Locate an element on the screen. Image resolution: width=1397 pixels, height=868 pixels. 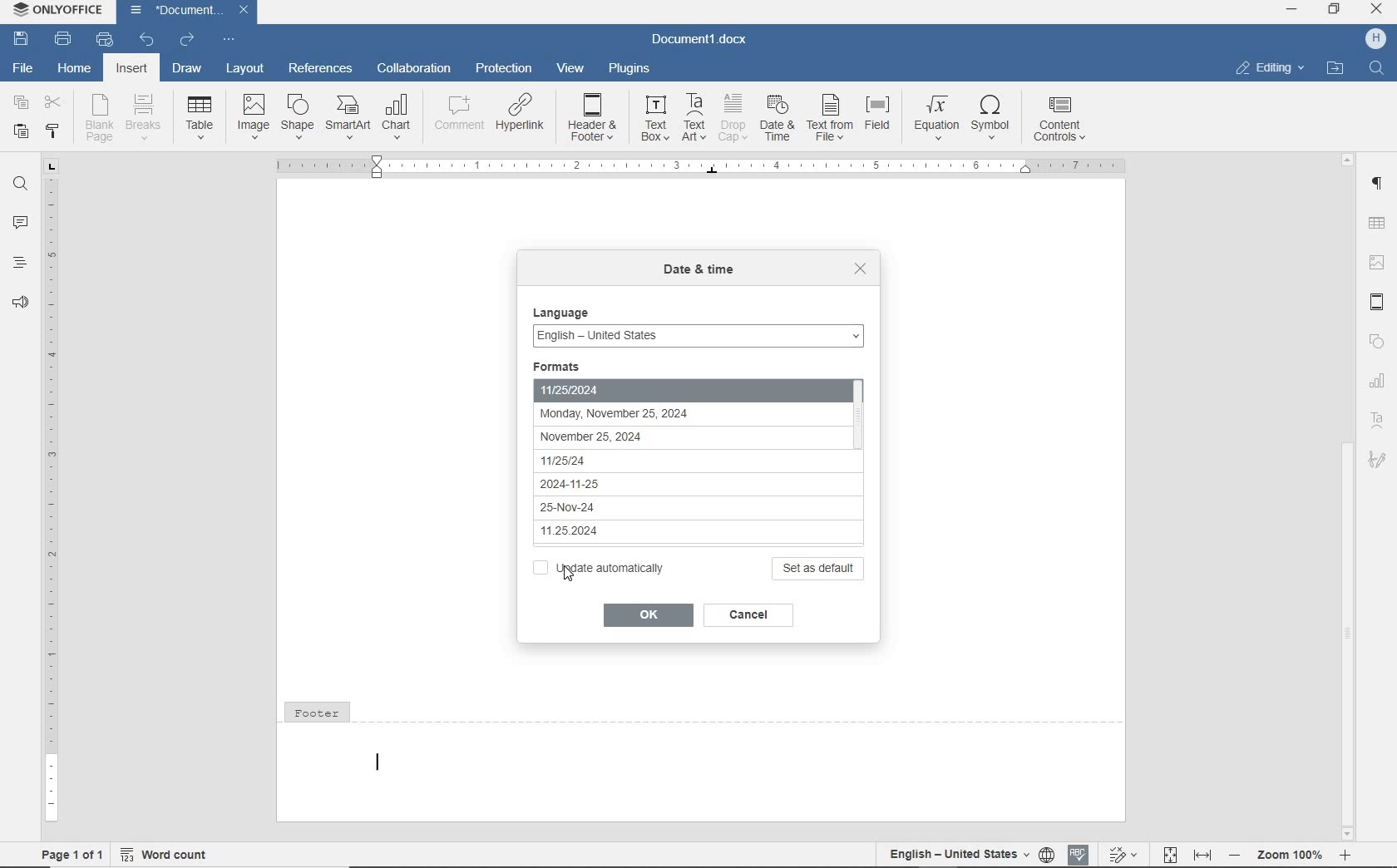
11.25.2024 is located at coordinates (641, 531).